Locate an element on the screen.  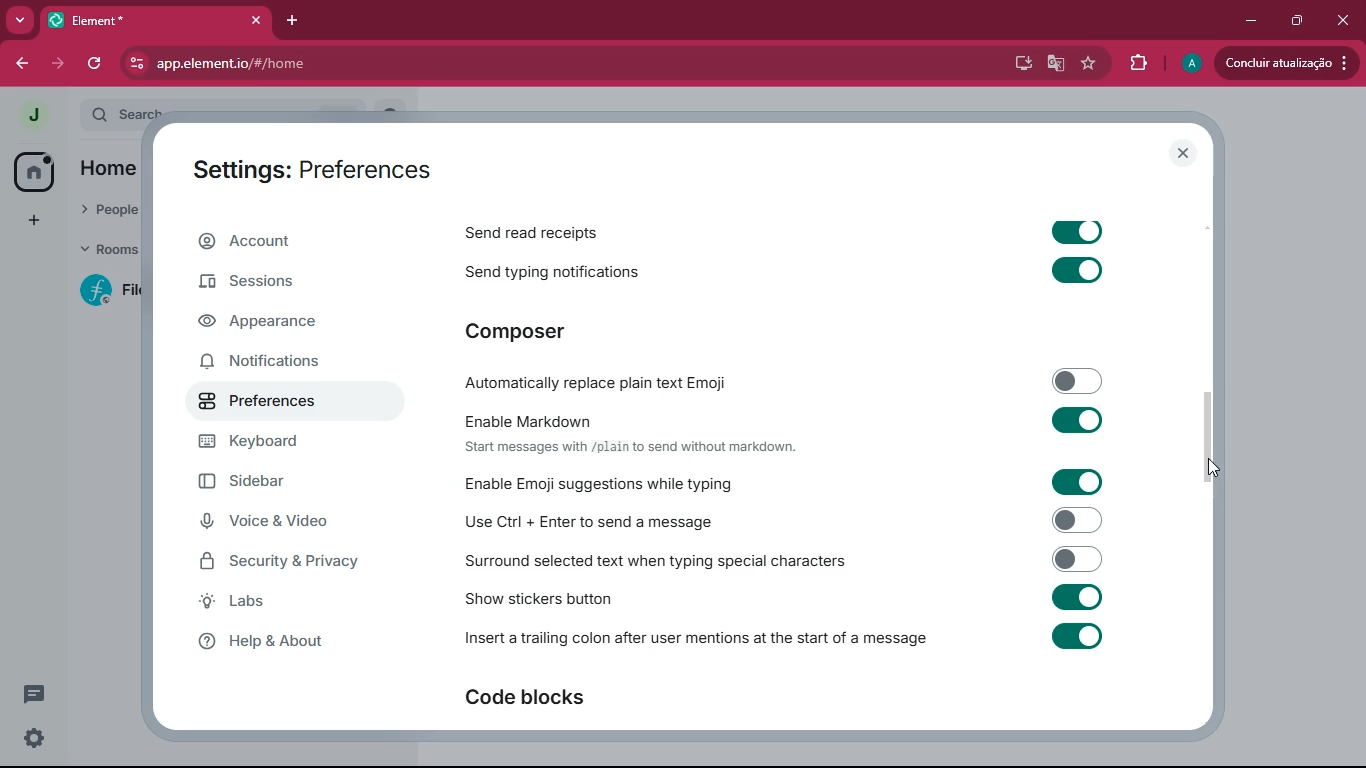
profile picture is located at coordinates (33, 116).